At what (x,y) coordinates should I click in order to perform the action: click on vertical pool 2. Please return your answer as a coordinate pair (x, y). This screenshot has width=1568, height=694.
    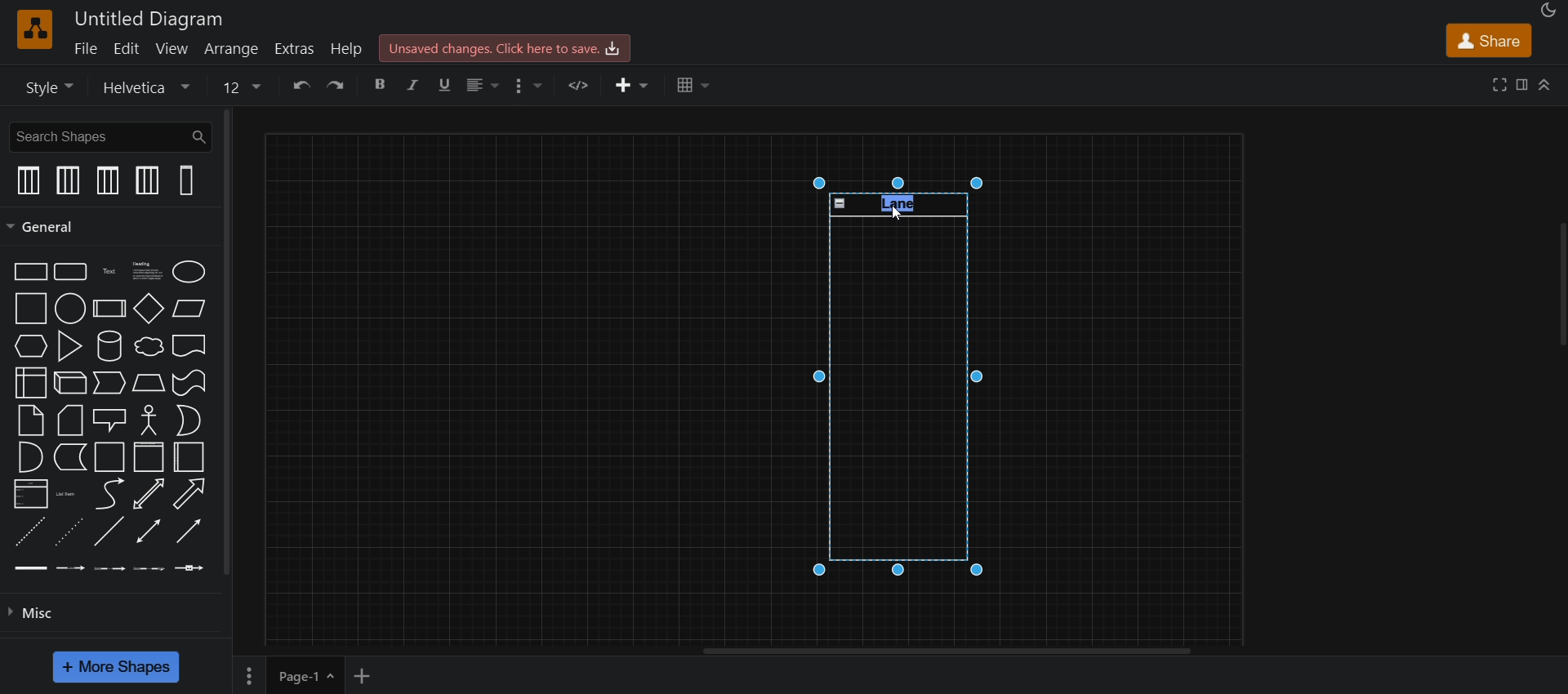
    Looking at the image, I should click on (69, 182).